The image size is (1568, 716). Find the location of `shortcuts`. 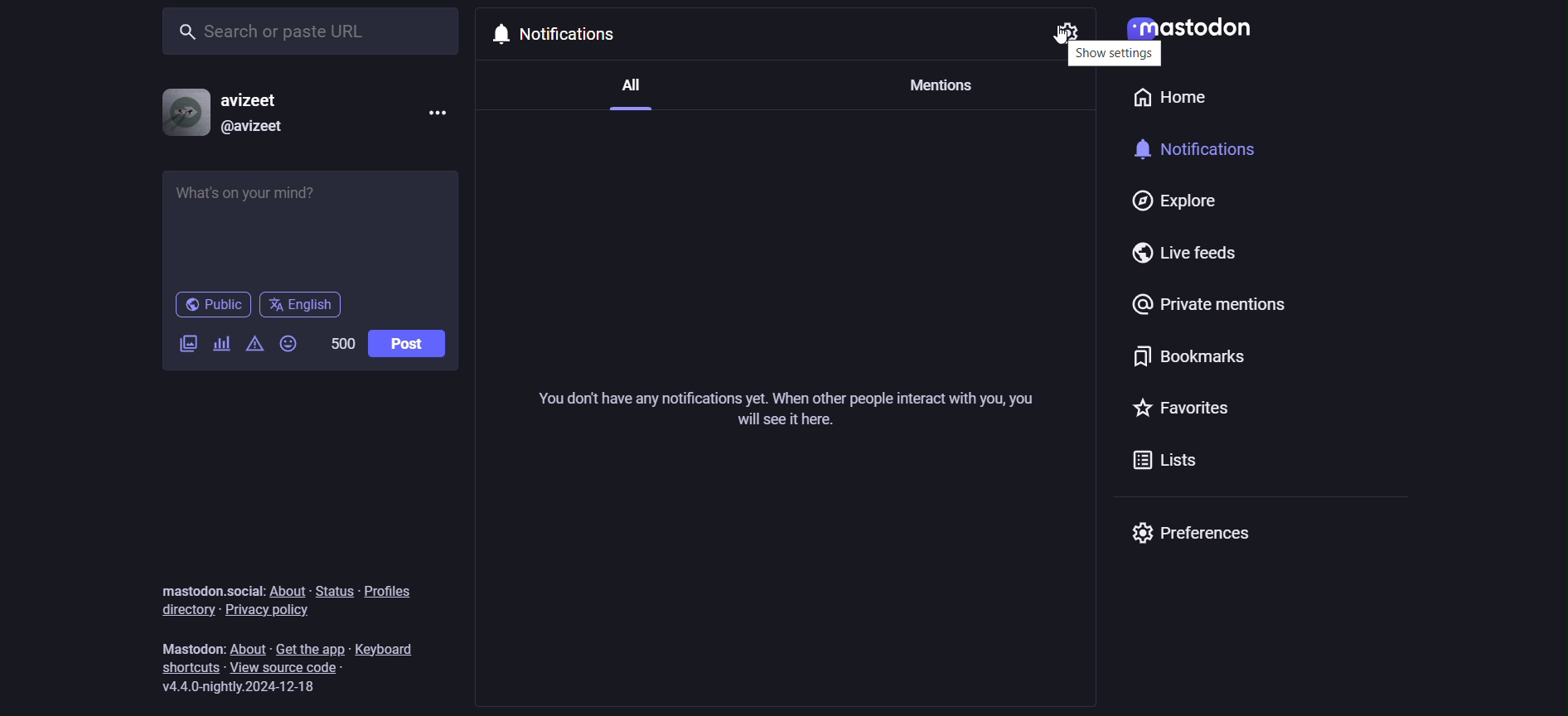

shortcuts is located at coordinates (186, 669).